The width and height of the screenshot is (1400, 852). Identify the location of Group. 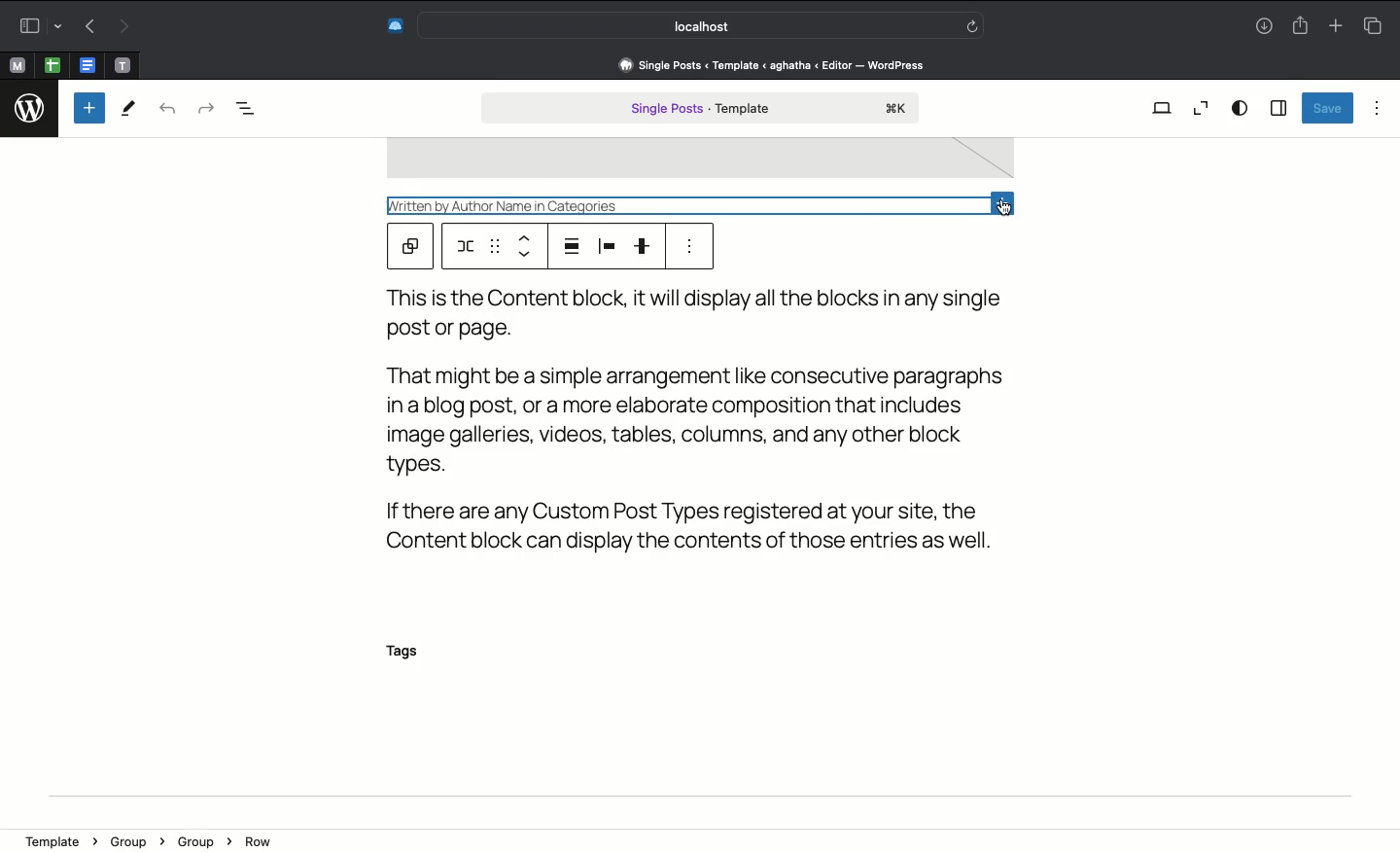
(134, 839).